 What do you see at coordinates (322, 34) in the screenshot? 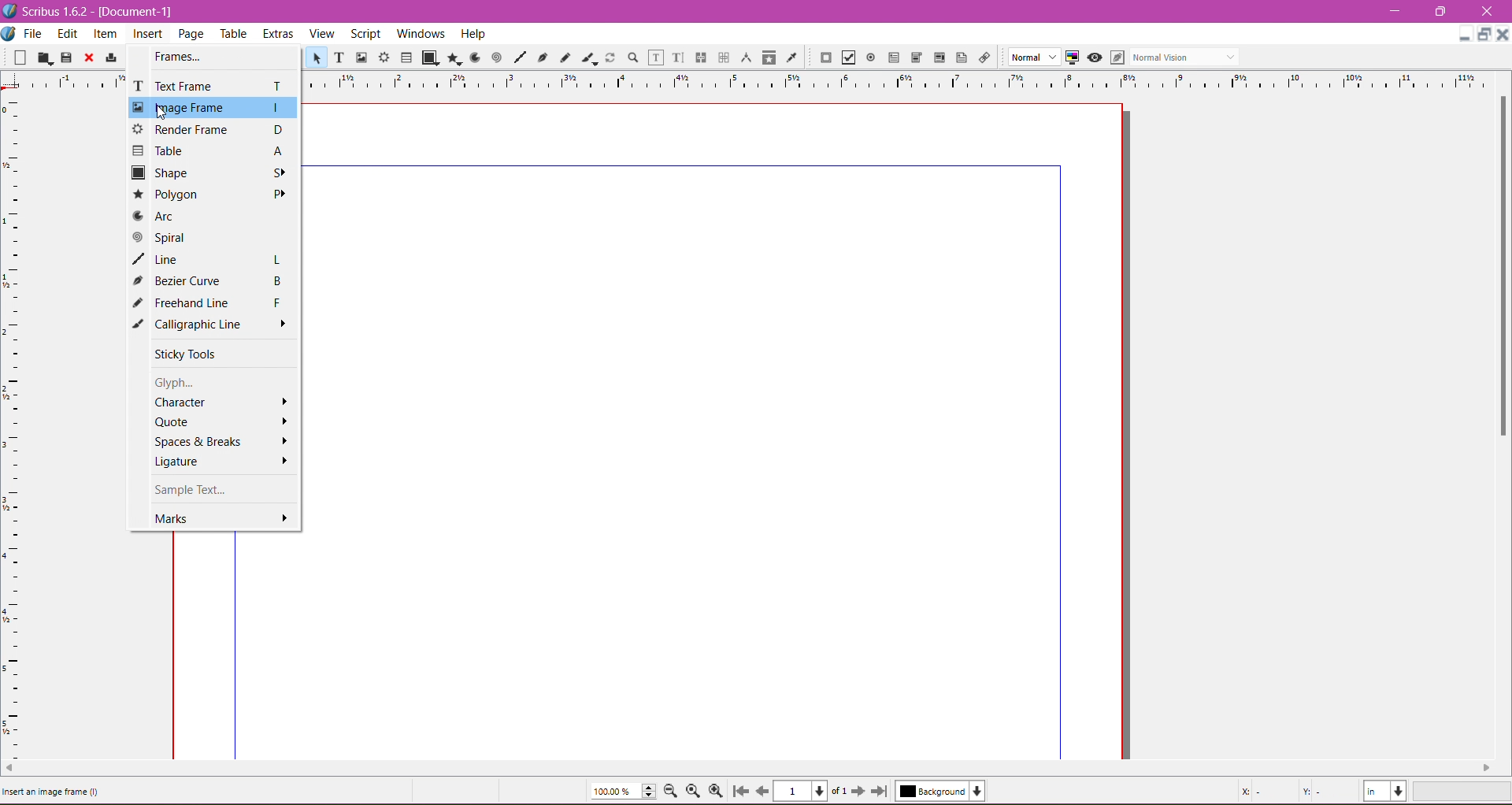
I see `View` at bounding box center [322, 34].